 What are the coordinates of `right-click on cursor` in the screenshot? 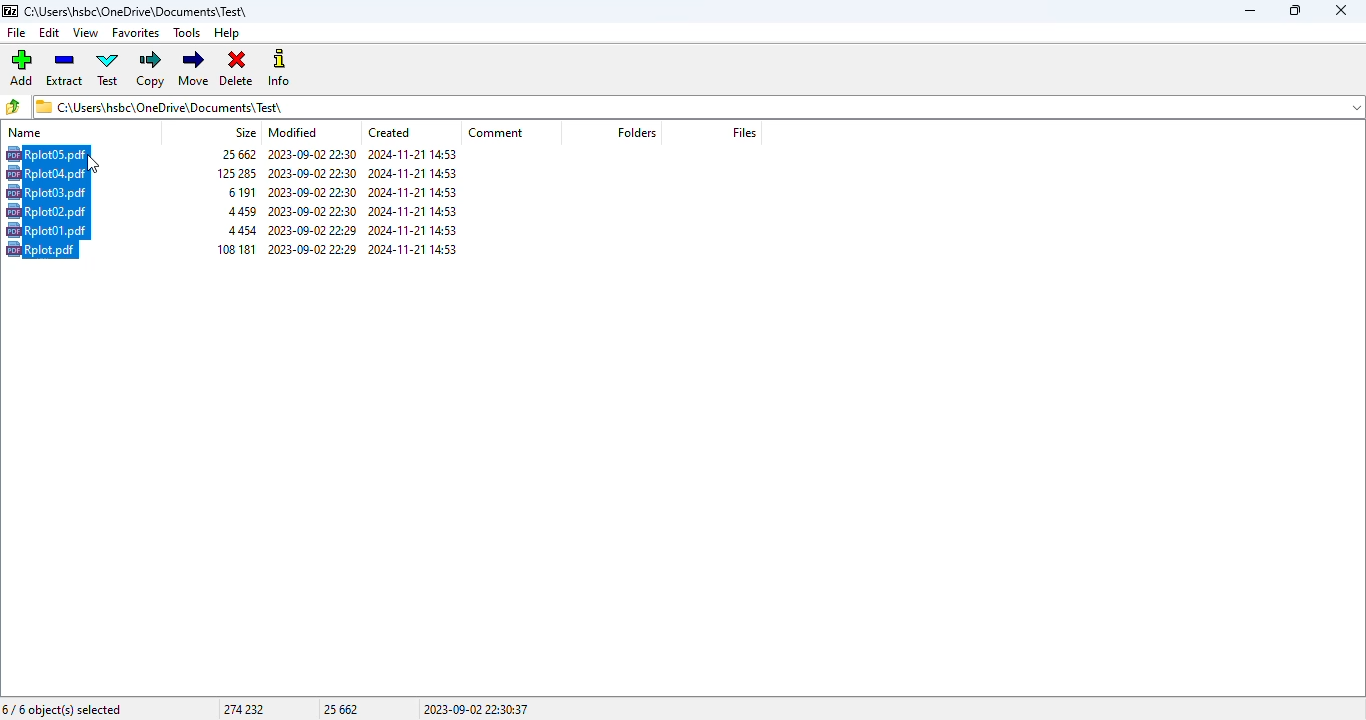 It's located at (92, 165).